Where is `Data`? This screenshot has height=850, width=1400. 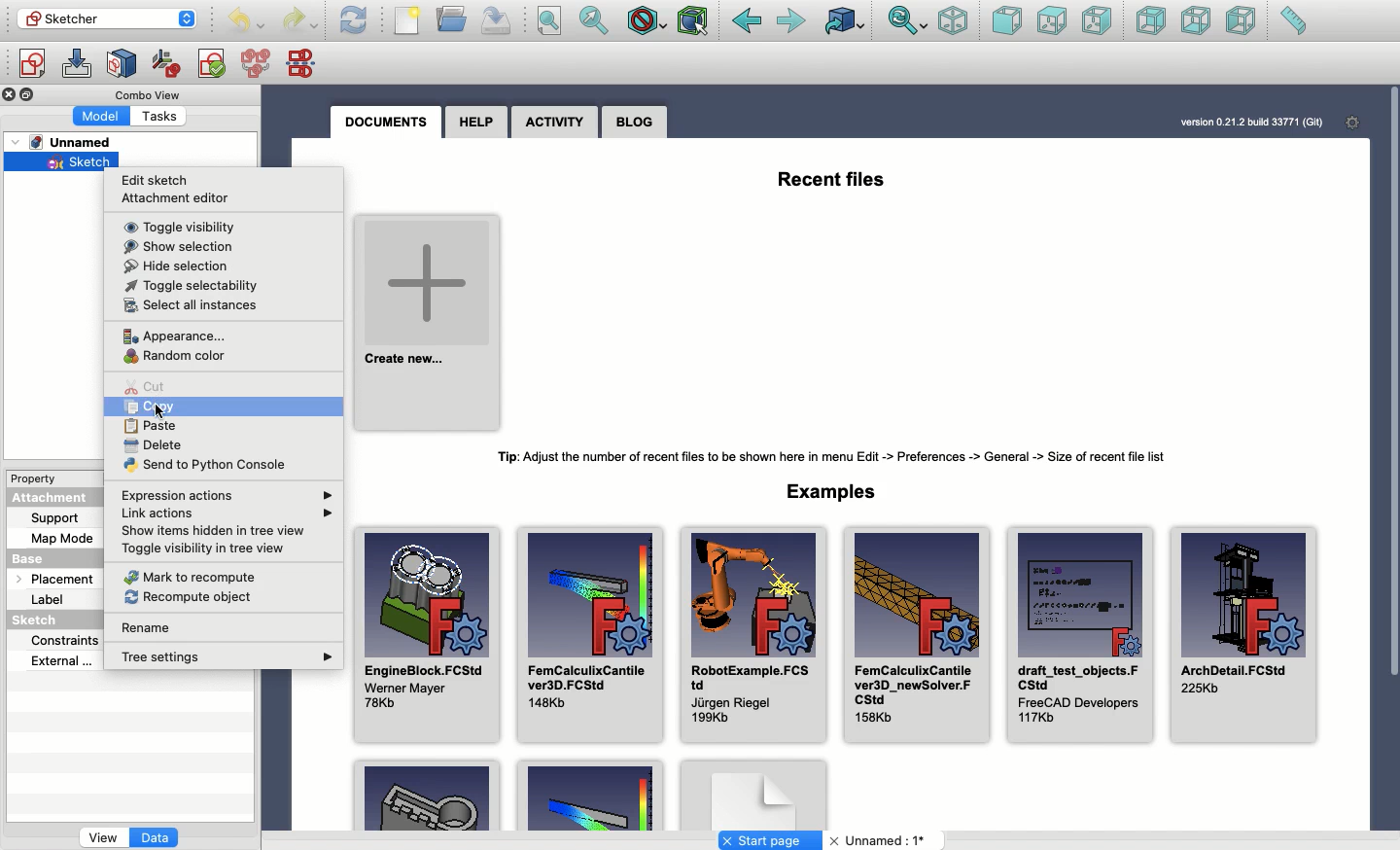
Data is located at coordinates (157, 839).